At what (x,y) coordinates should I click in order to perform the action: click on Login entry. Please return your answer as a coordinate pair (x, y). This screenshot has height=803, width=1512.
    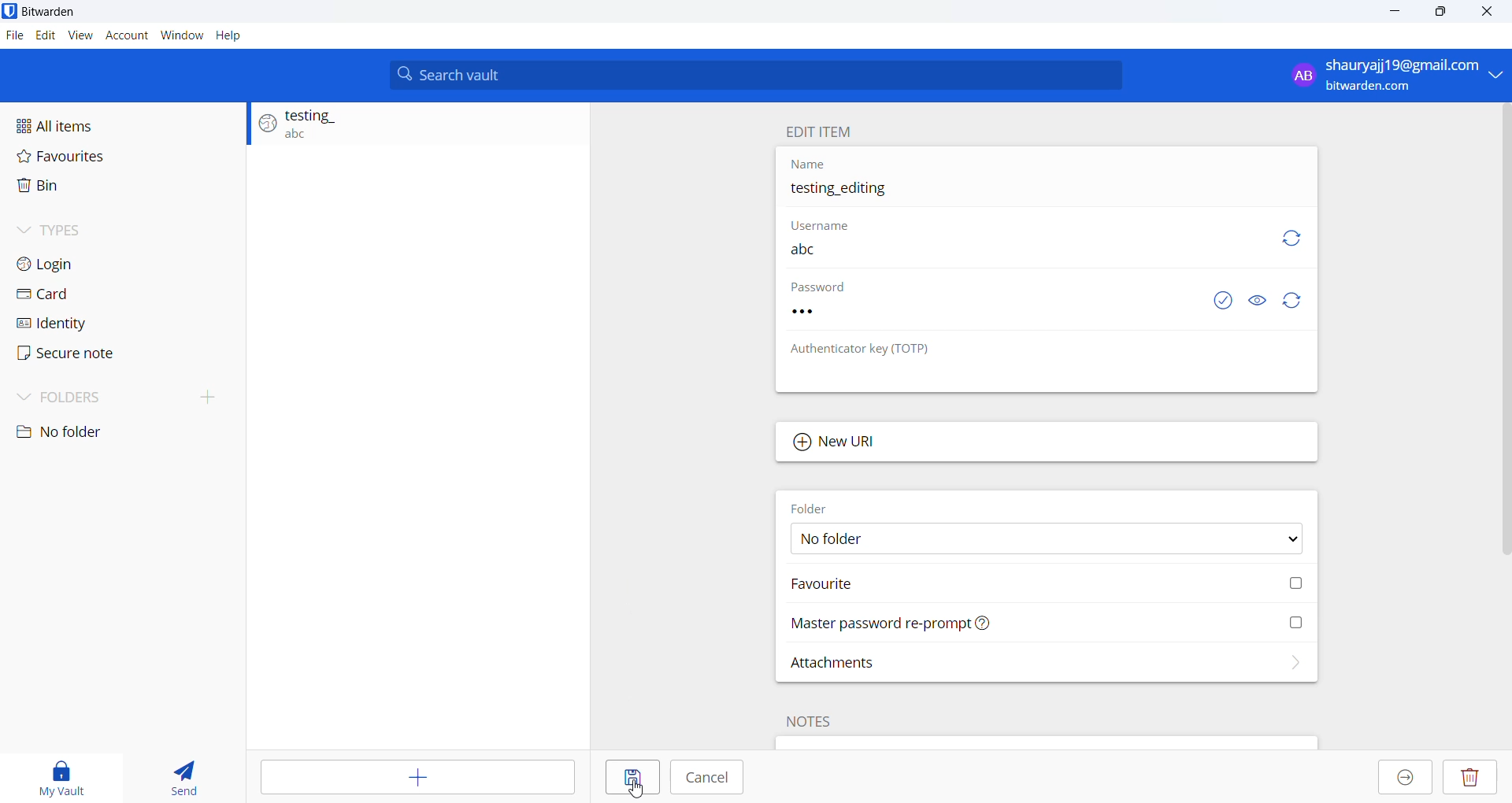
    Looking at the image, I should click on (410, 128).